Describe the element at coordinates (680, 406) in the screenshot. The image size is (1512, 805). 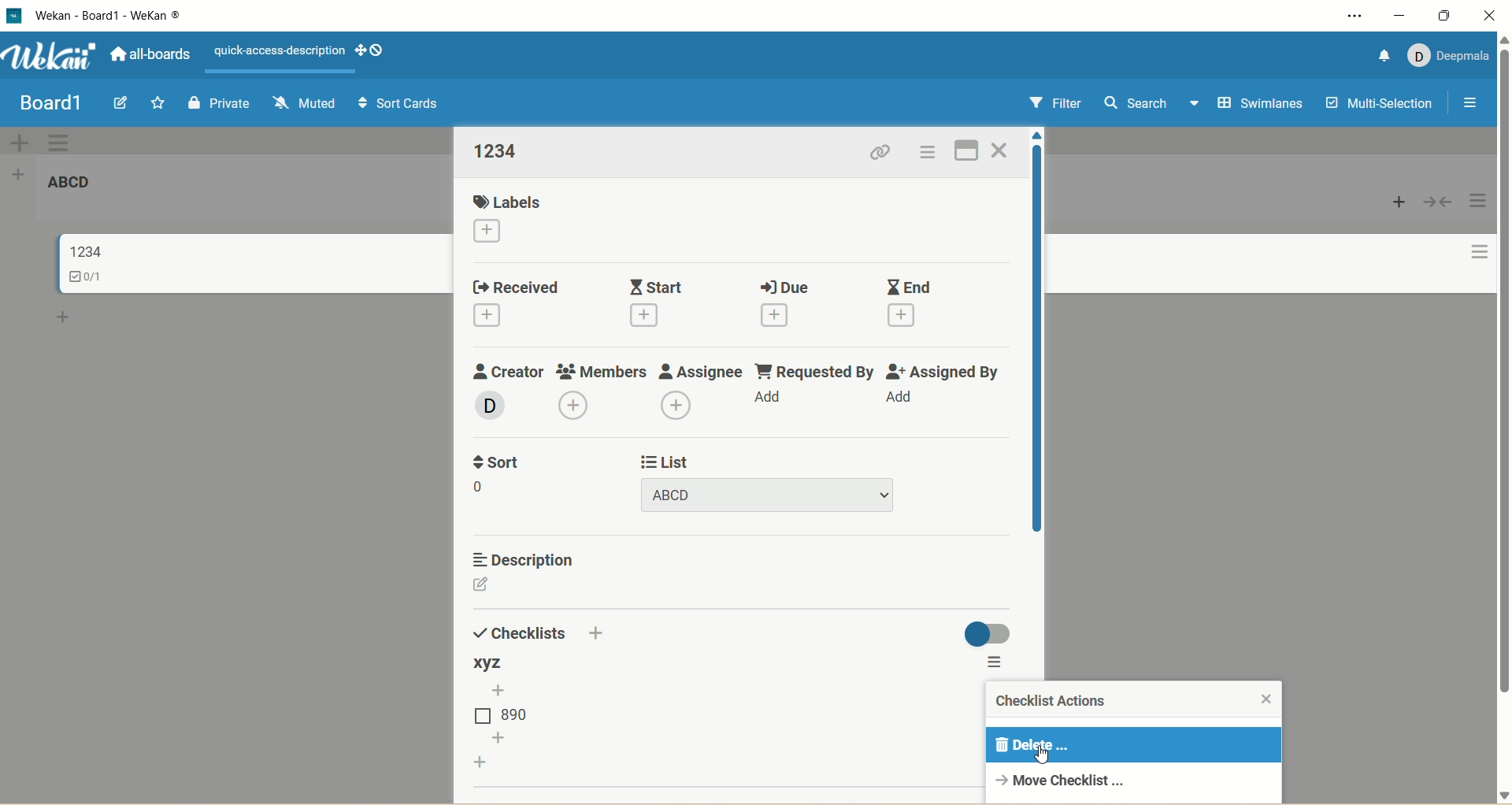
I see `add` at that location.